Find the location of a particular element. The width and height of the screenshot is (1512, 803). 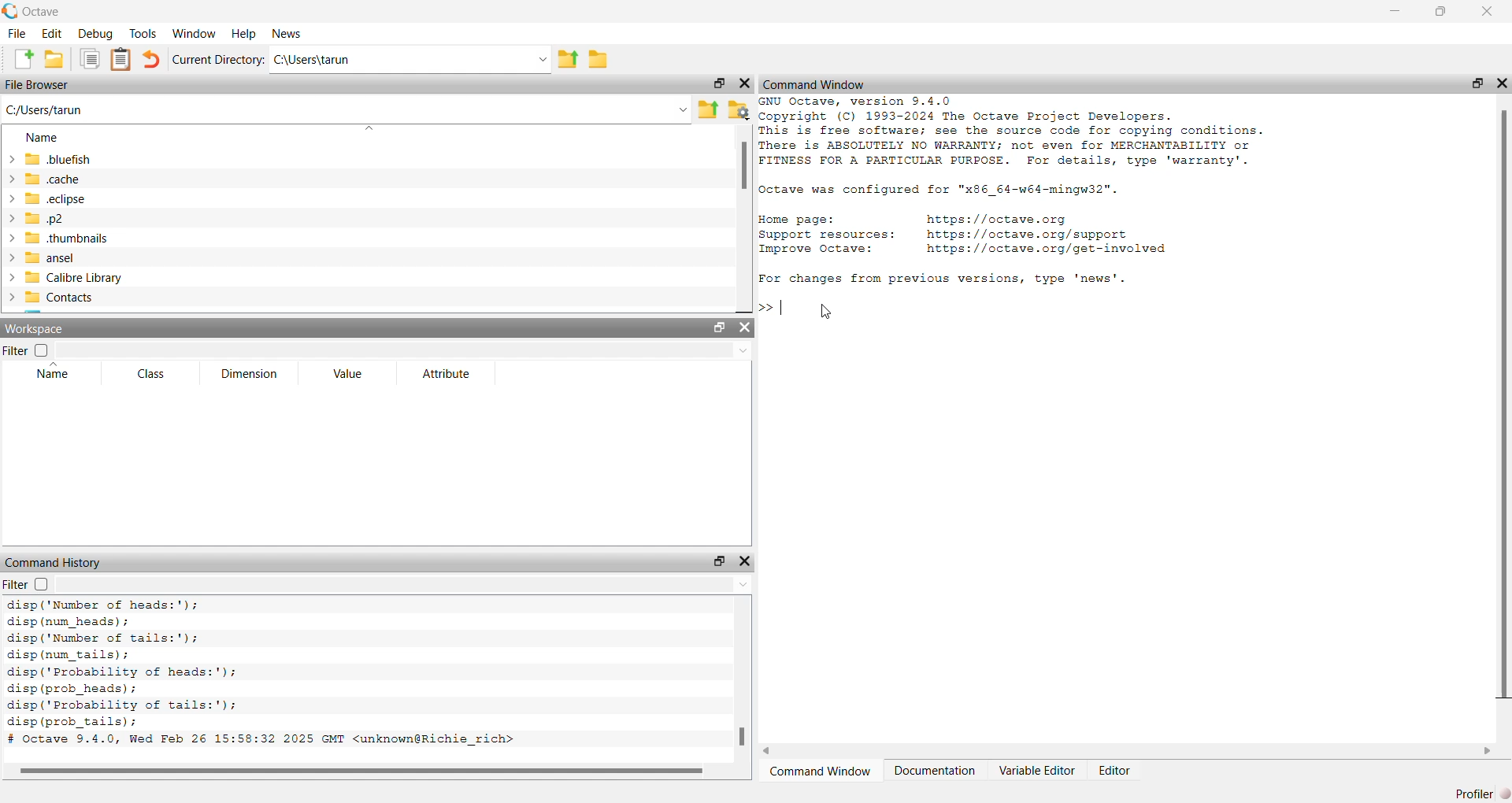

C/Users/tarun is located at coordinates (49, 109).